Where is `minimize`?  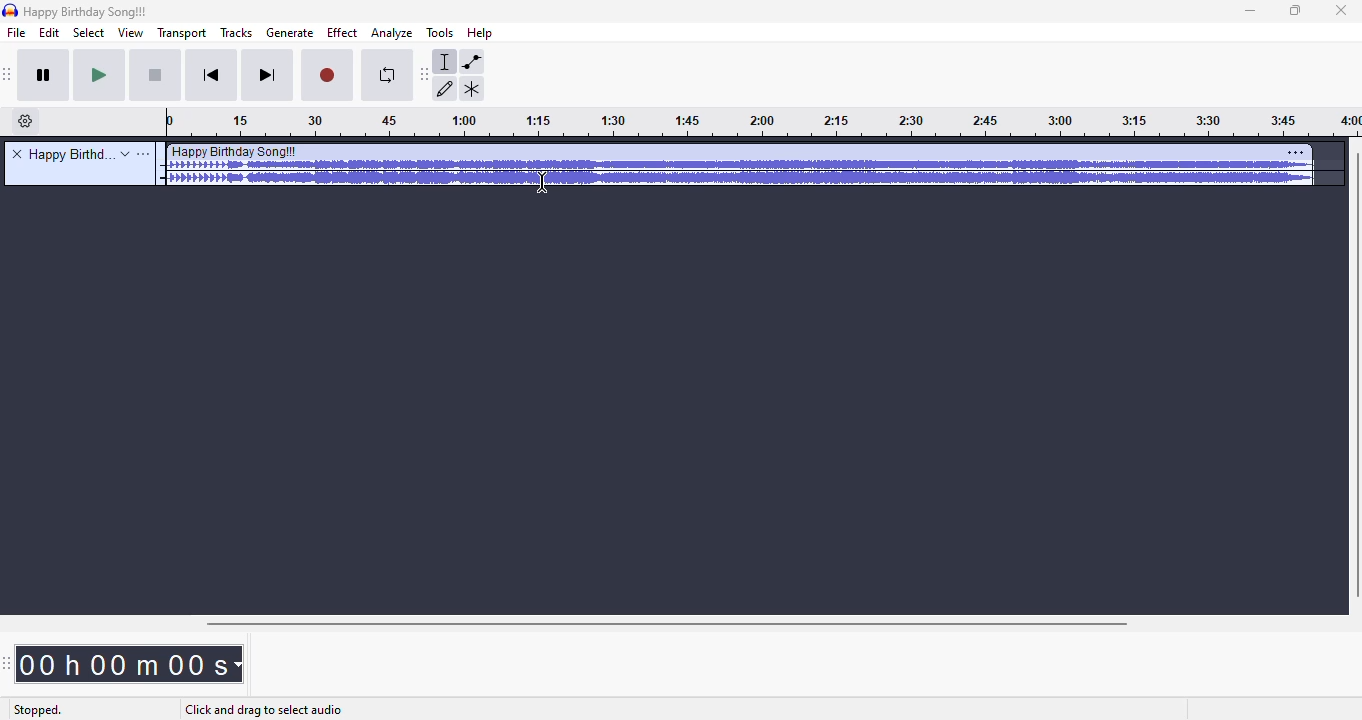 minimize is located at coordinates (1251, 12).